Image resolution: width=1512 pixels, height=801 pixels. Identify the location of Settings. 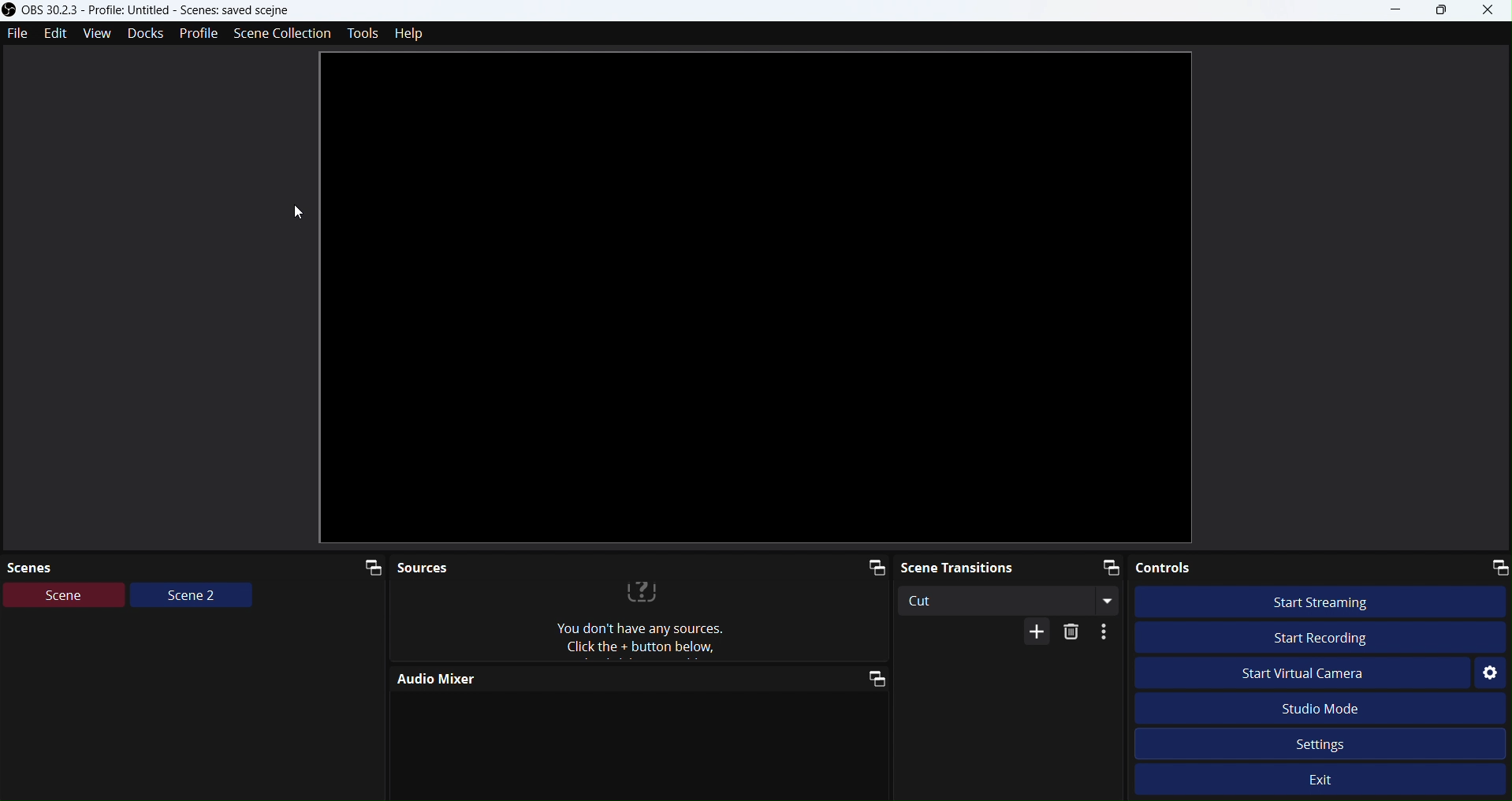
(1490, 674).